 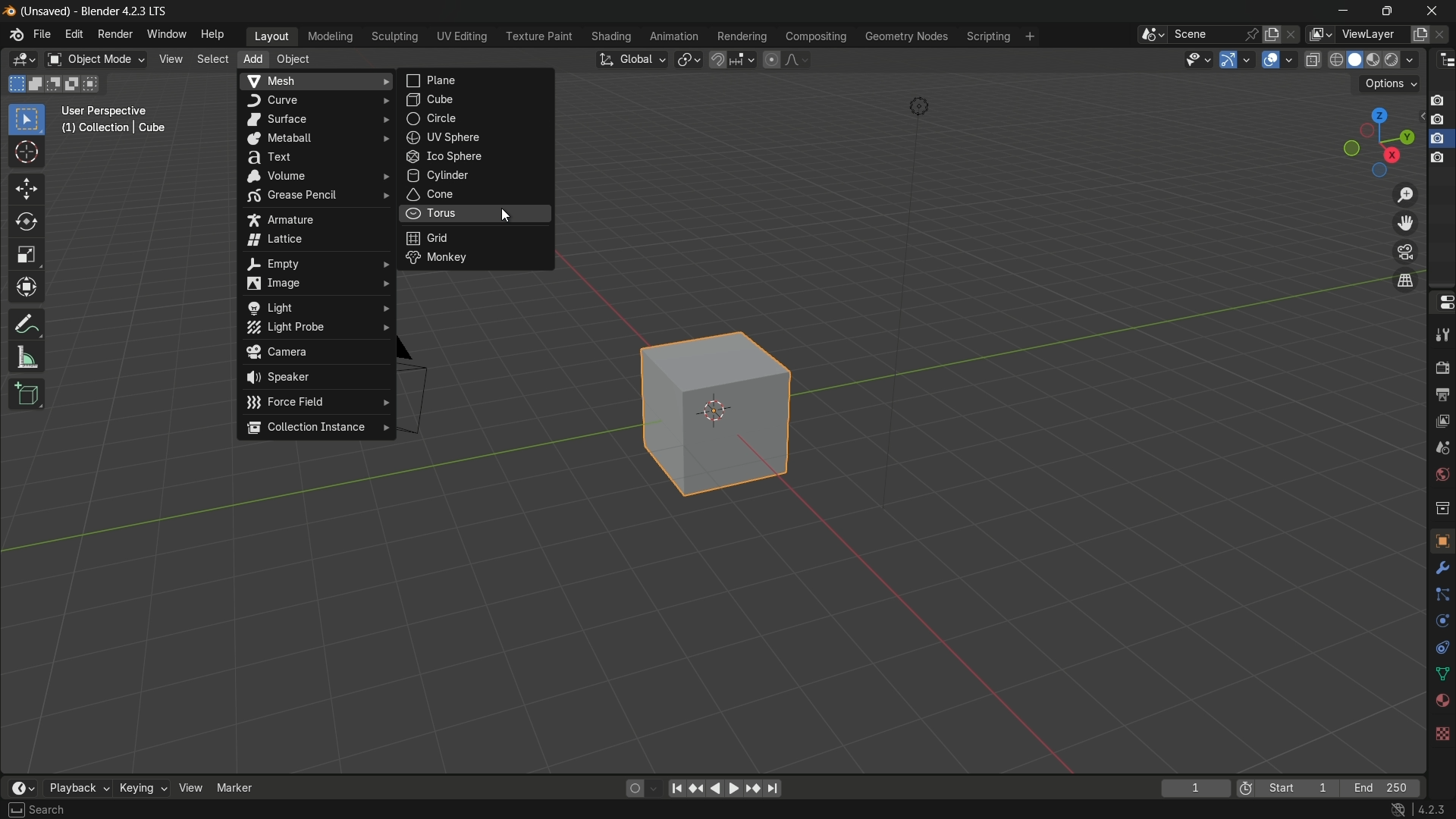 I want to click on scripting, so click(x=988, y=37).